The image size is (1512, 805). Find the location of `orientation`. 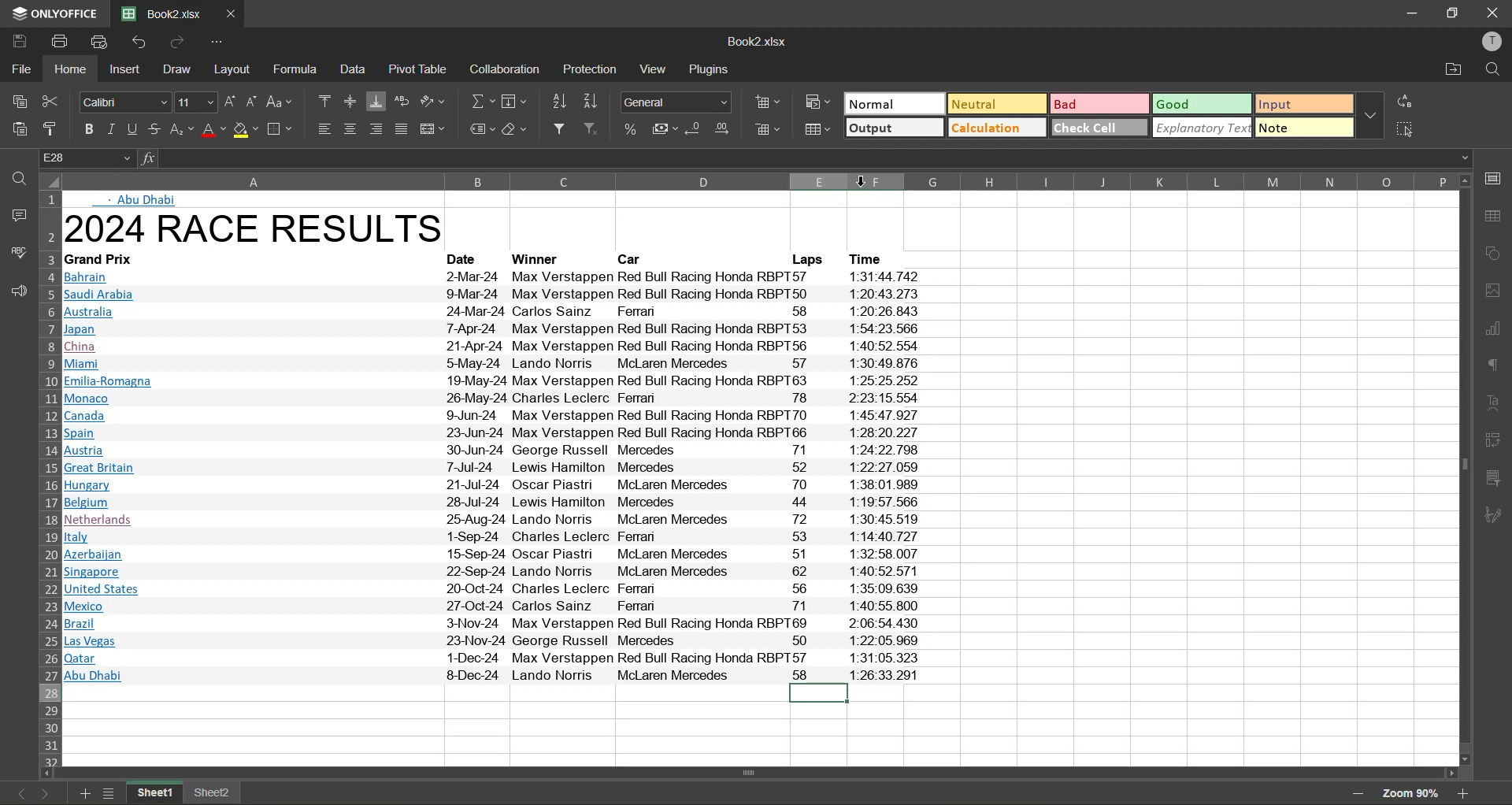

orientation is located at coordinates (435, 101).